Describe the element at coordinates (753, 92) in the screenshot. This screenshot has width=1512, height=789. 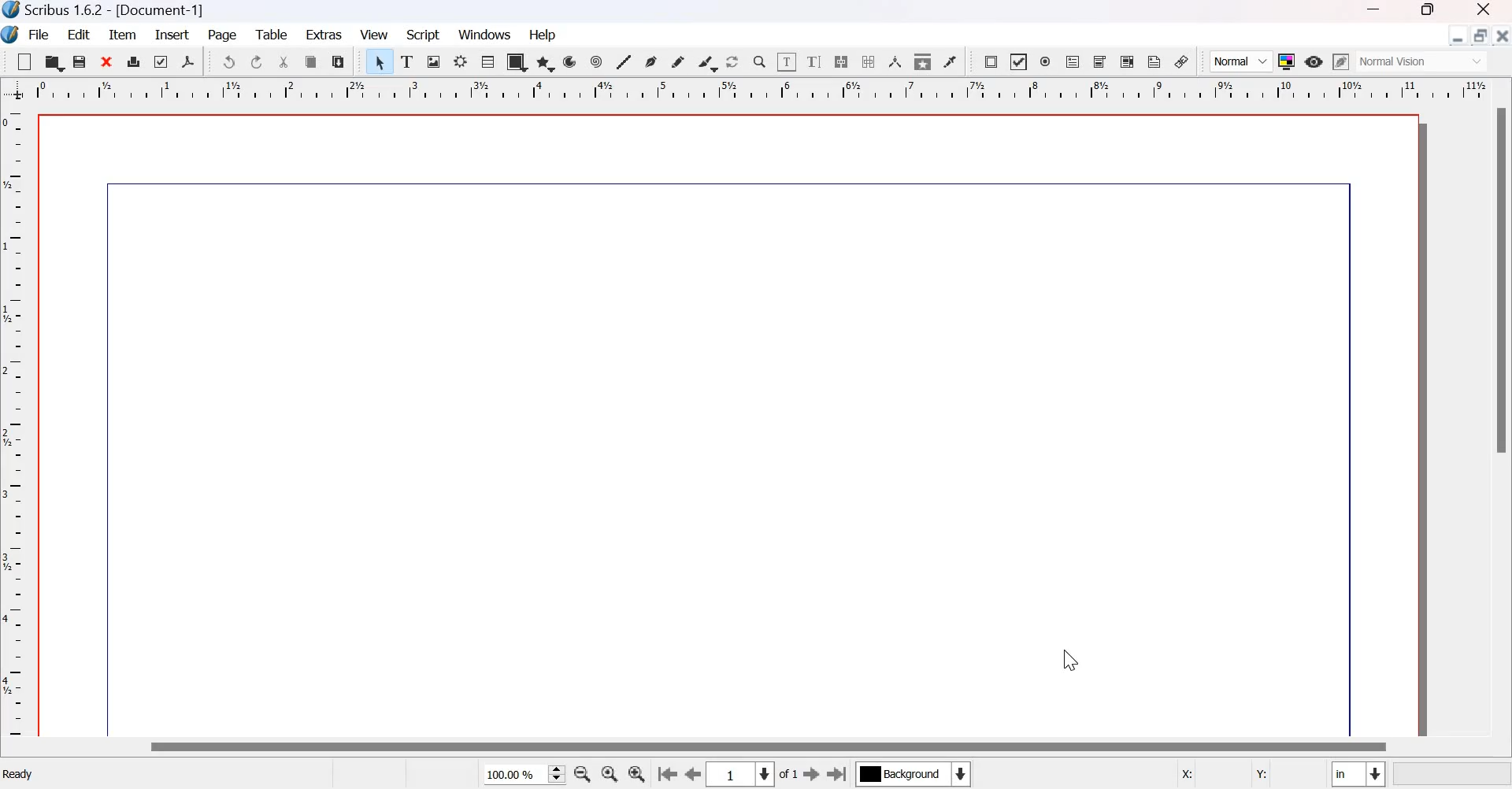
I see `horizontal scale` at that location.